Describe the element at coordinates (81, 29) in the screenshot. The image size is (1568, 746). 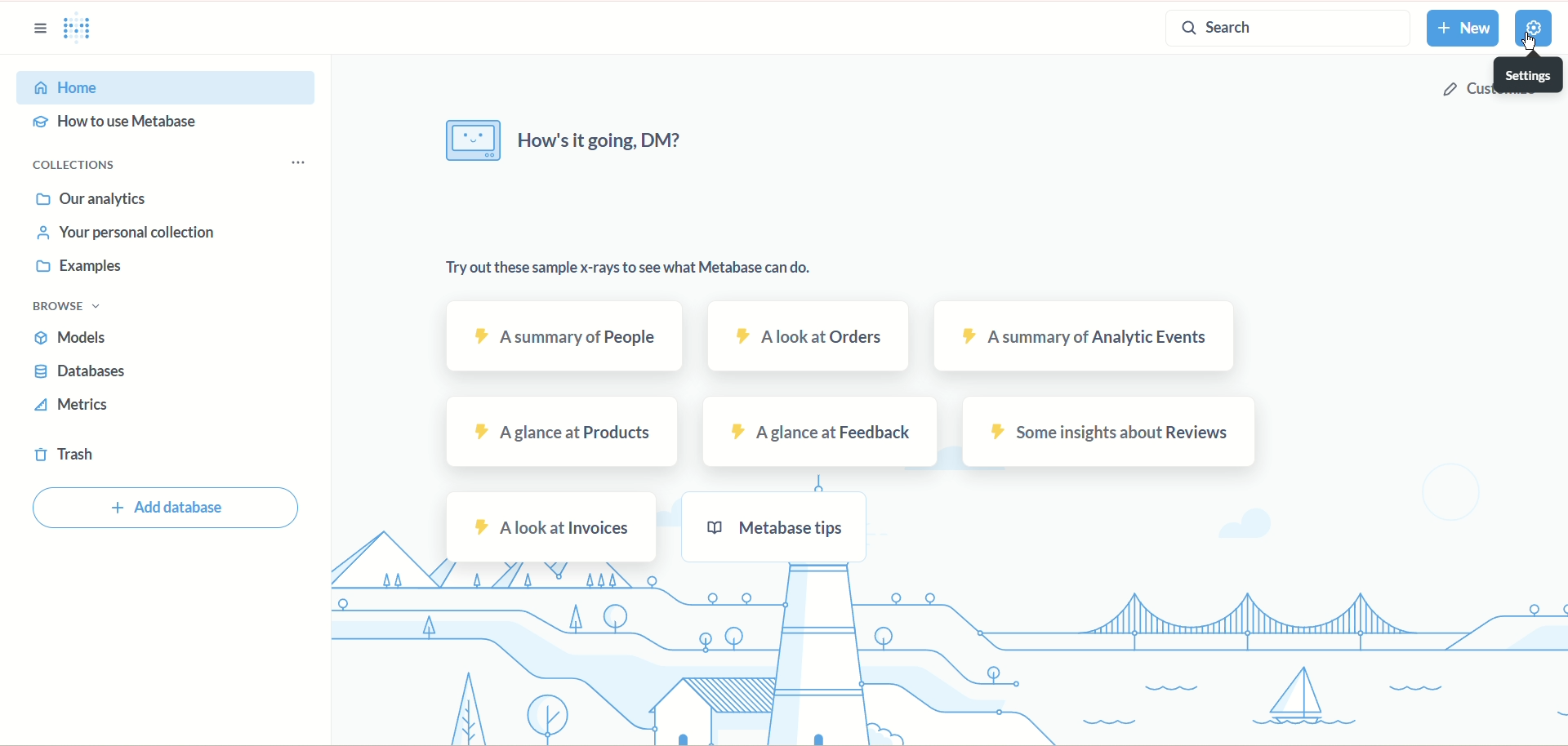
I see `logo` at that location.